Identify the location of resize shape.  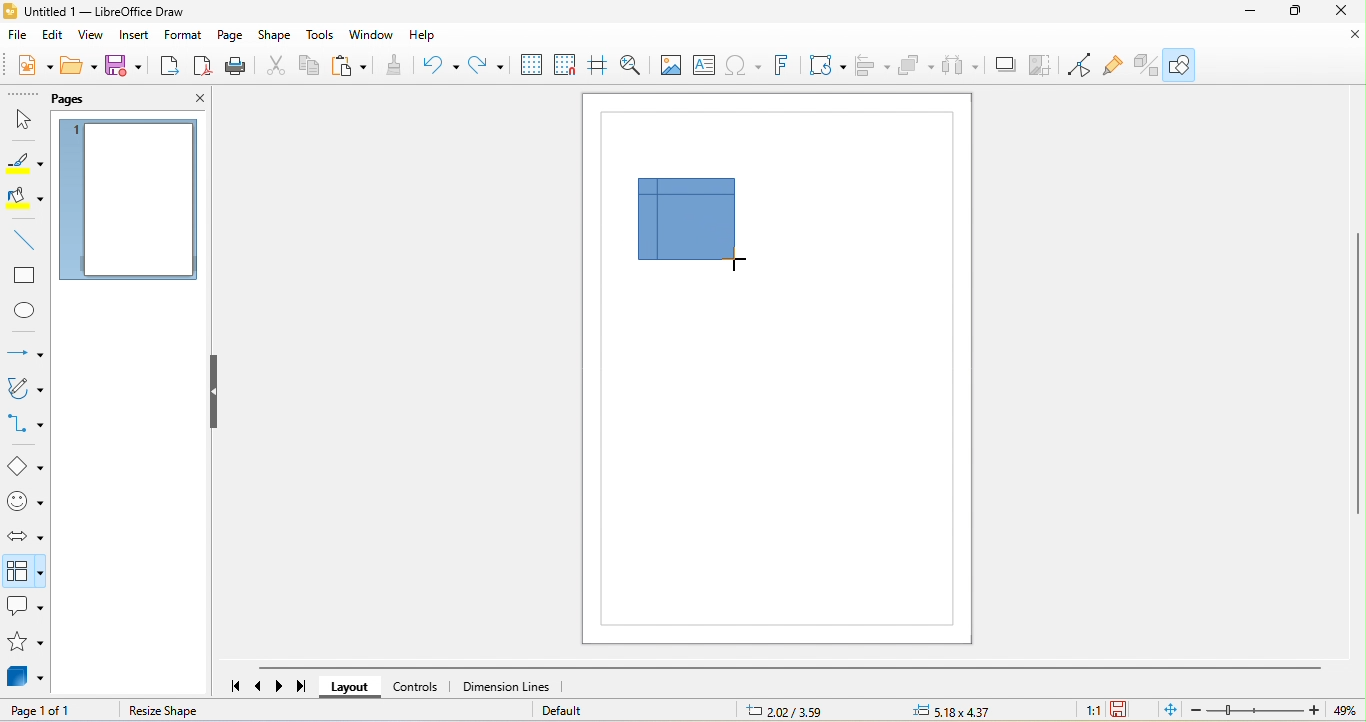
(199, 710).